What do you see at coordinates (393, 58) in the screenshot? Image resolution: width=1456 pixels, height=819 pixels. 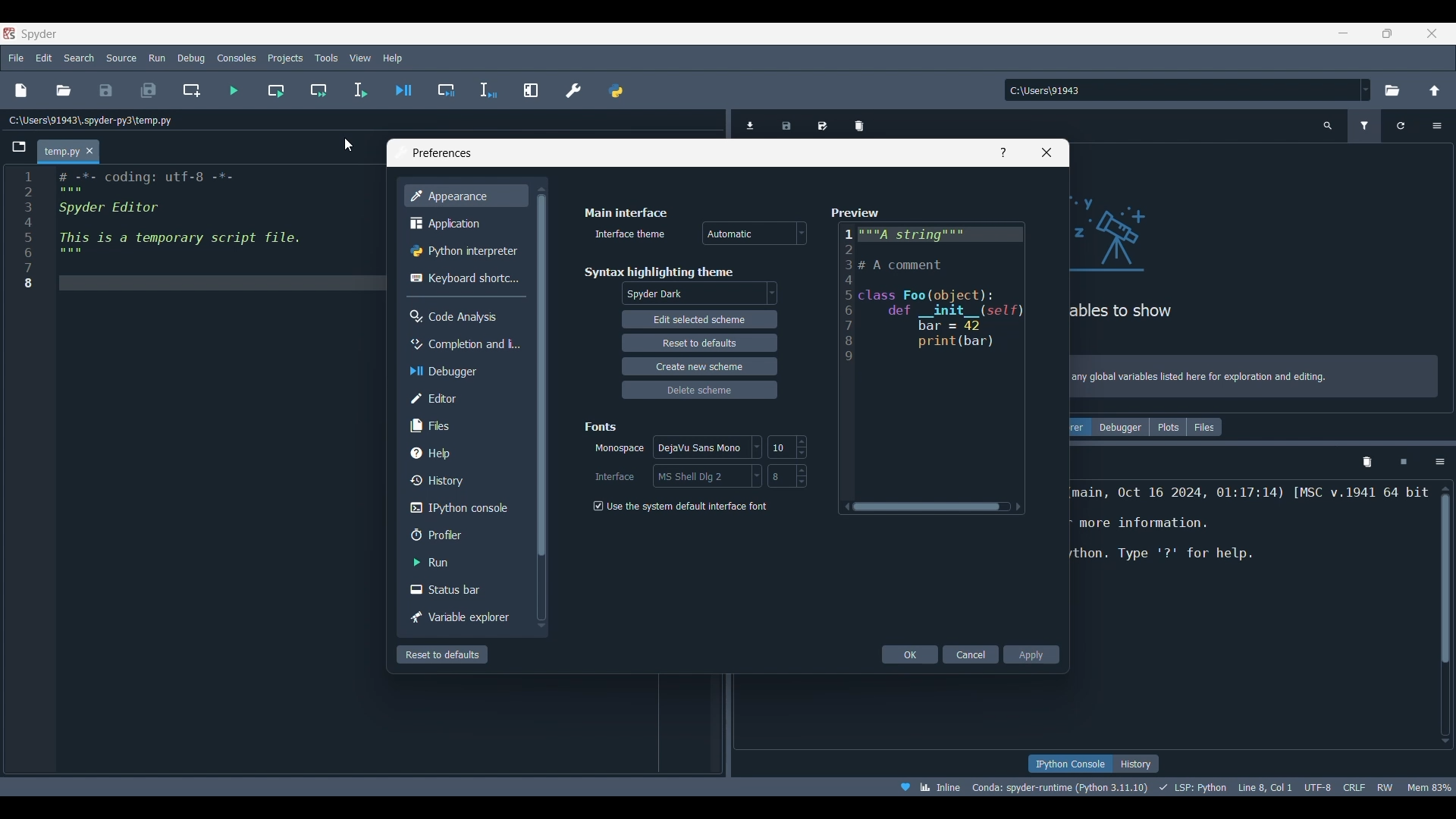 I see `Help menu` at bounding box center [393, 58].